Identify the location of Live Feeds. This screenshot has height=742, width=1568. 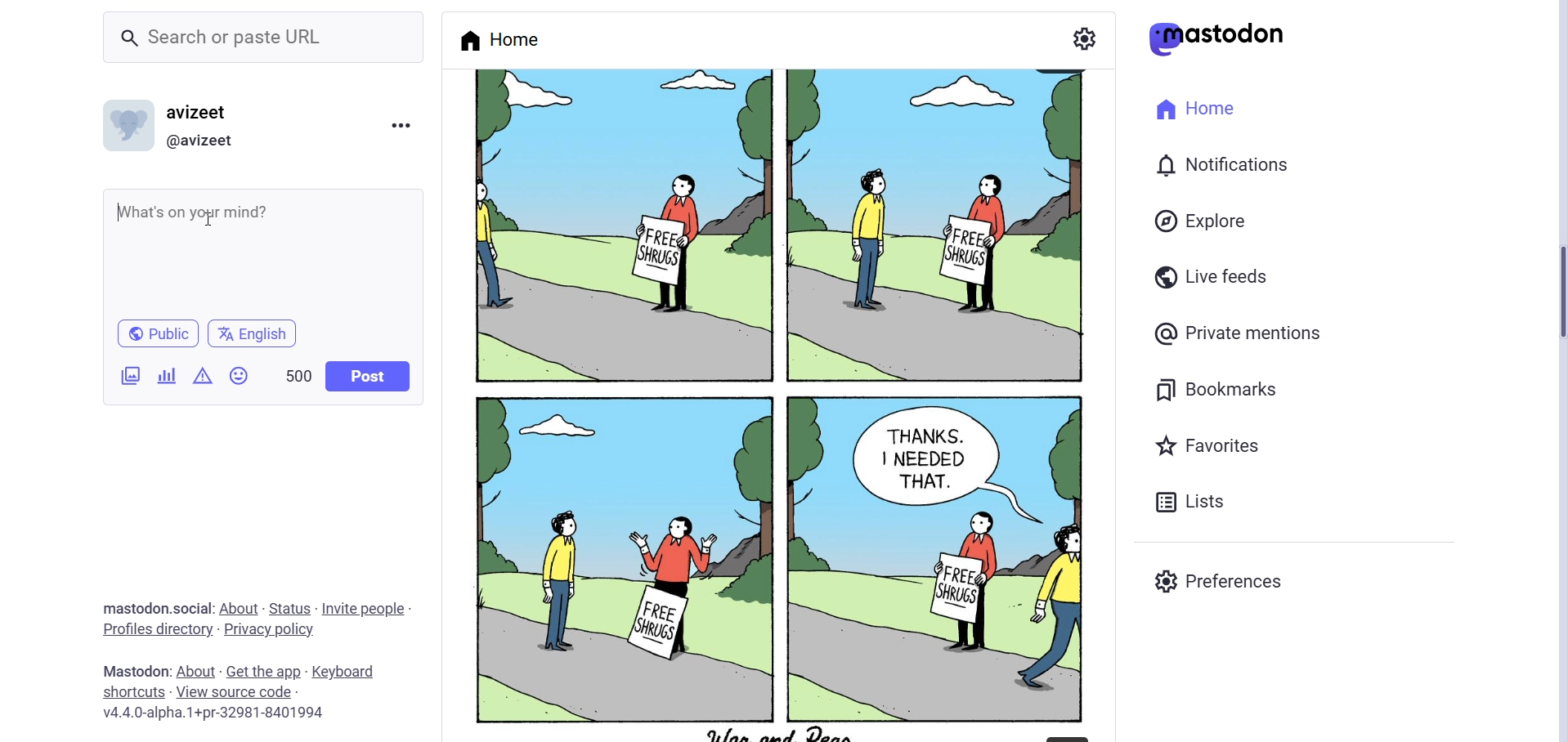
(1212, 276).